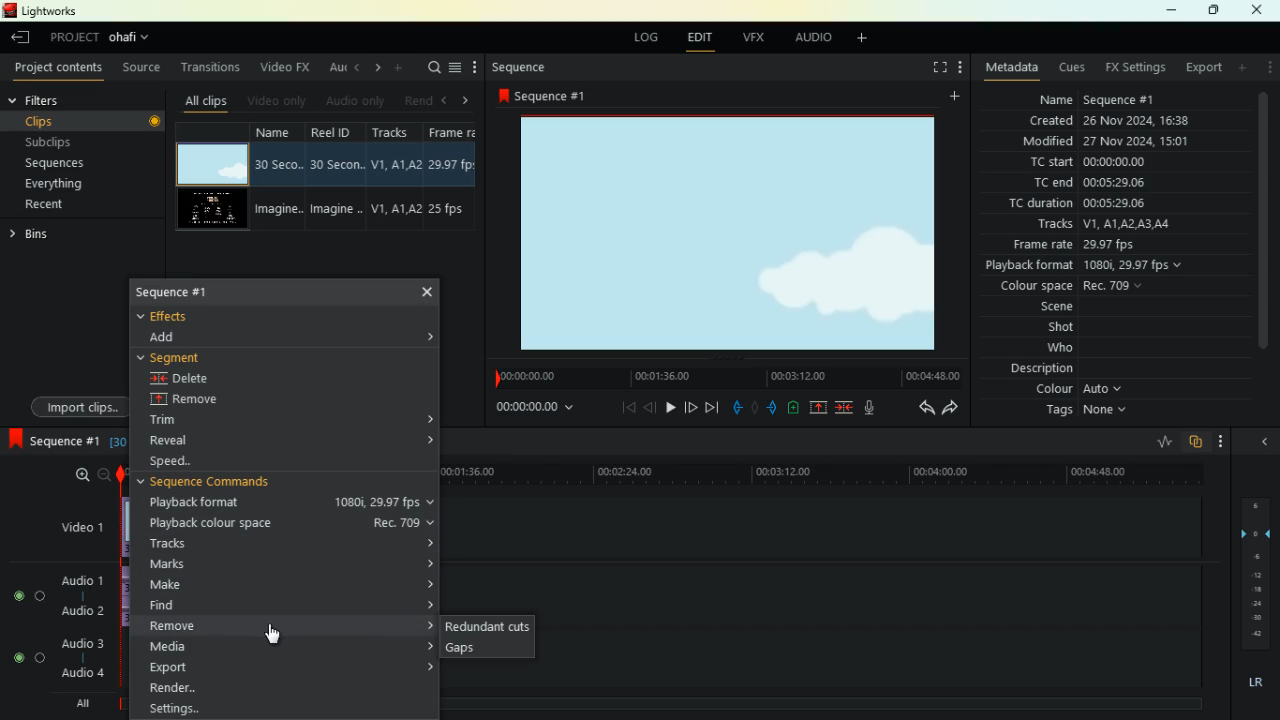  I want to click on end, so click(712, 406).